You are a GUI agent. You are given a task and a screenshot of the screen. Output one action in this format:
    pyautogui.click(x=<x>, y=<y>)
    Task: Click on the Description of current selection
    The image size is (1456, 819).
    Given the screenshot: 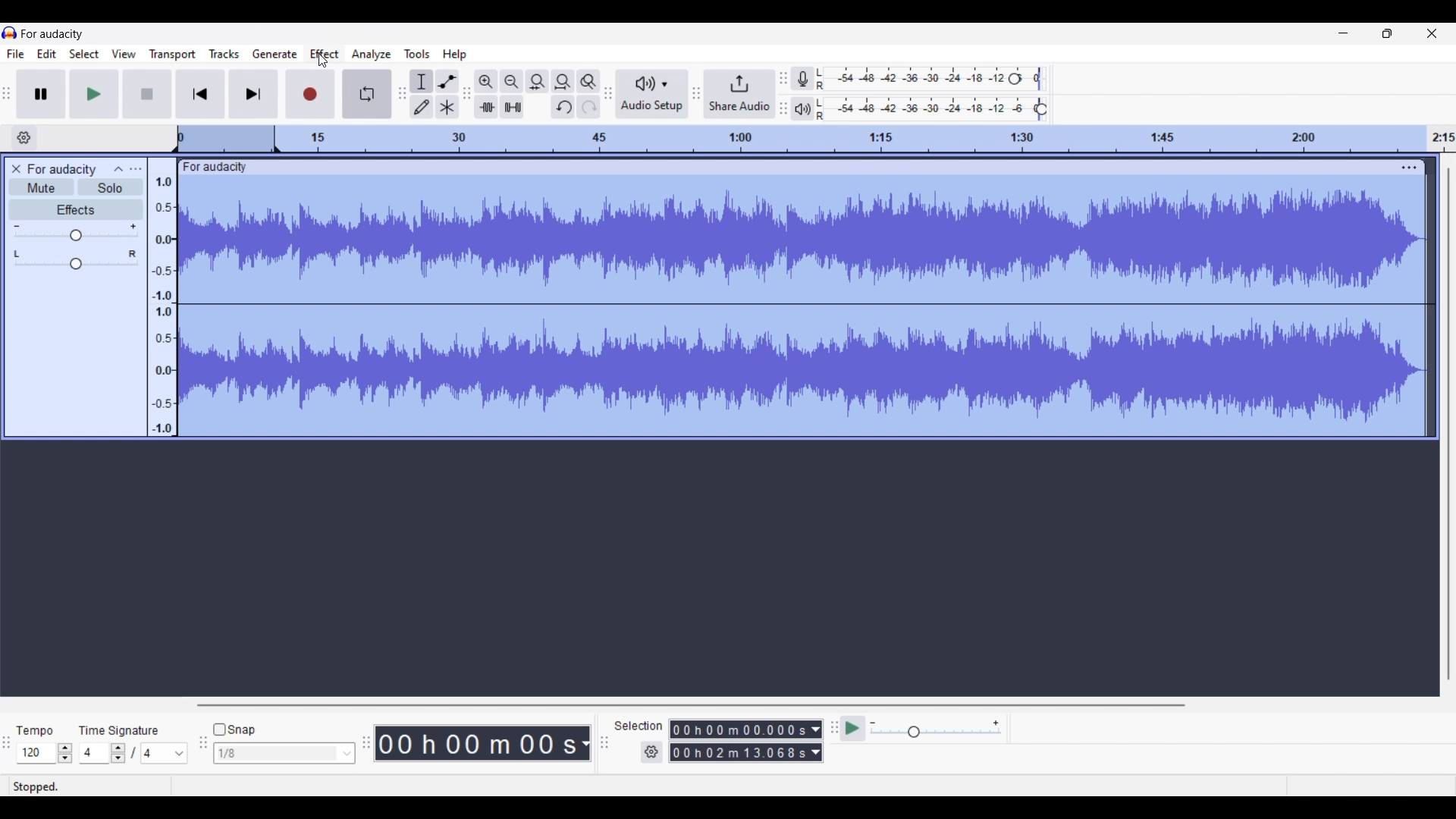 What is the action you would take?
    pyautogui.click(x=275, y=787)
    